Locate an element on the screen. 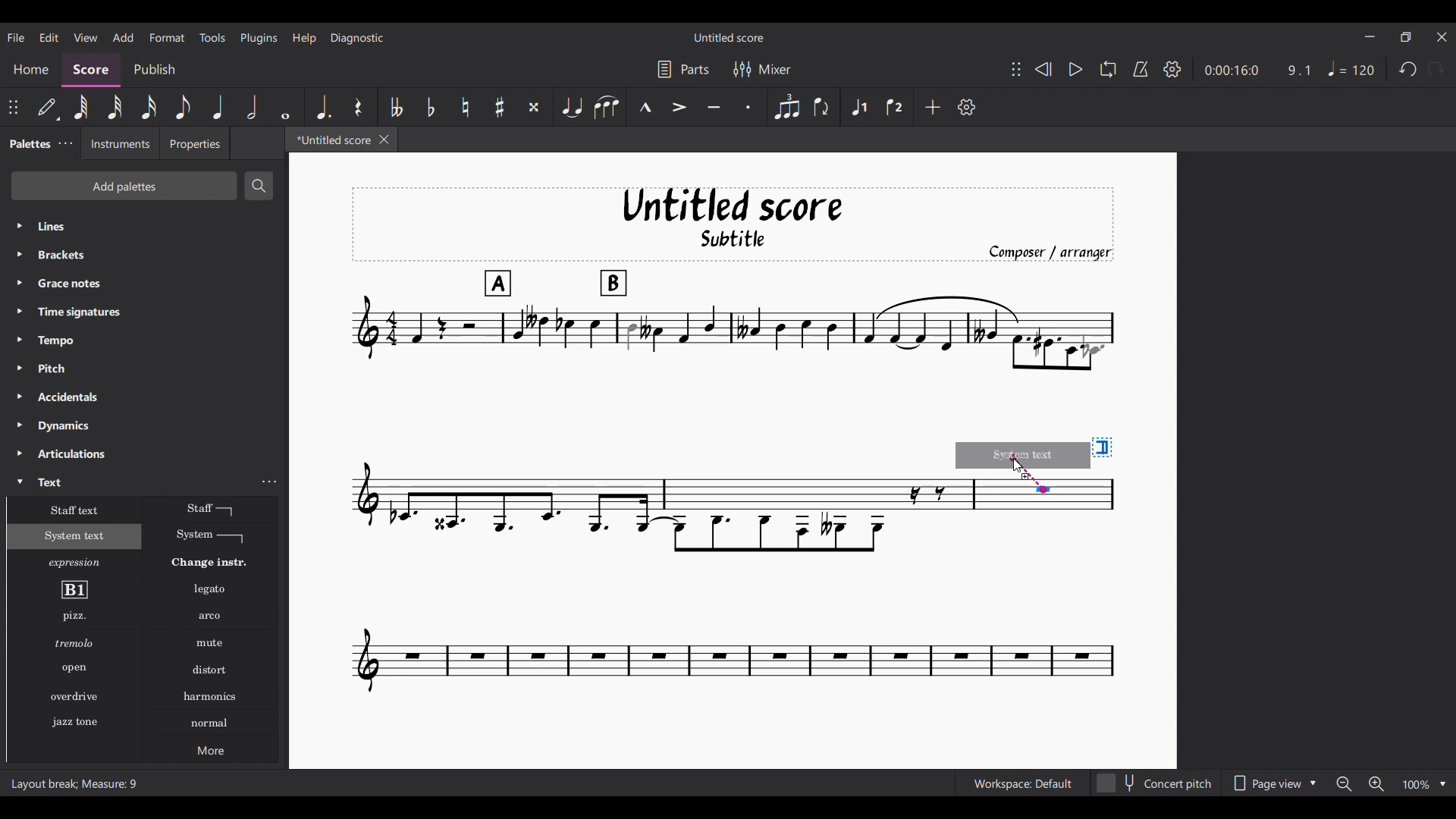  Rest is located at coordinates (359, 107).